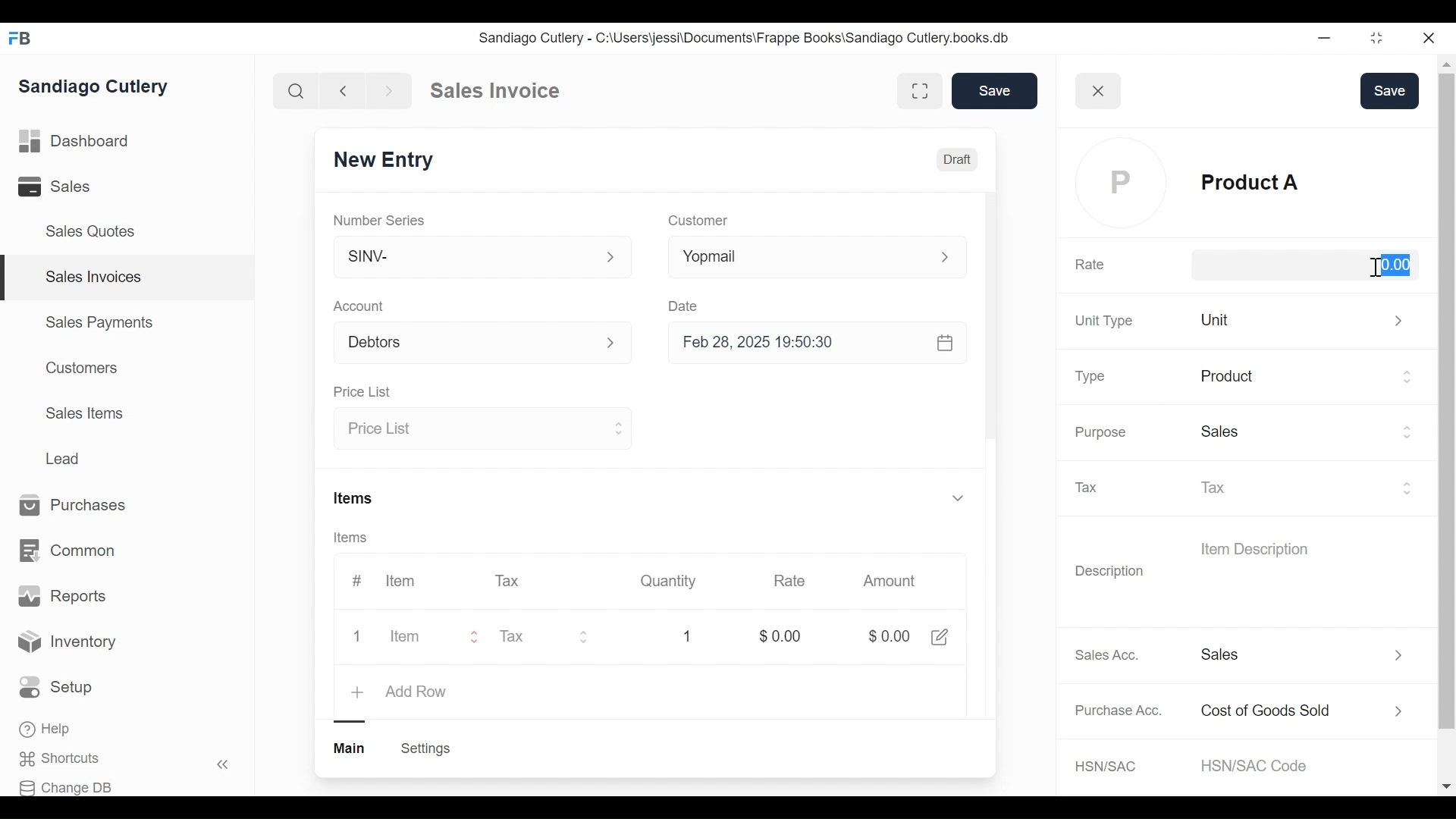  What do you see at coordinates (494, 91) in the screenshot?
I see `Sales Invoice` at bounding box center [494, 91].